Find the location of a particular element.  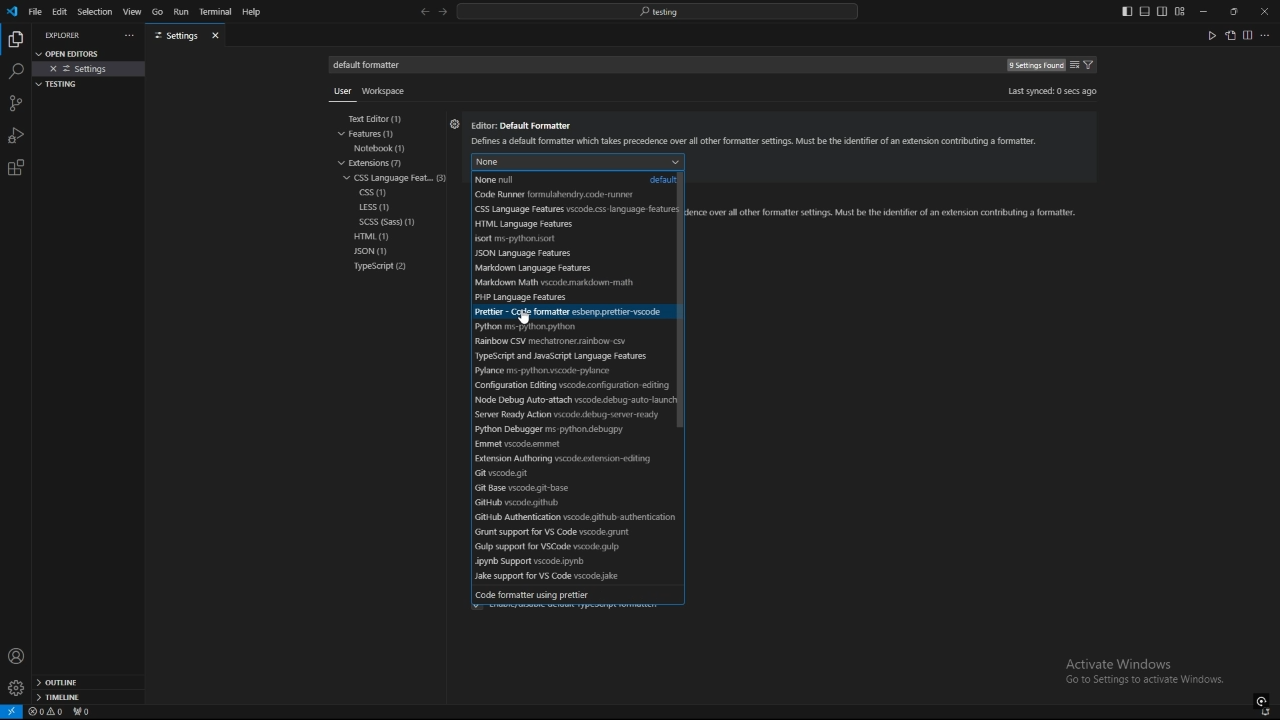

run code is located at coordinates (1211, 35).